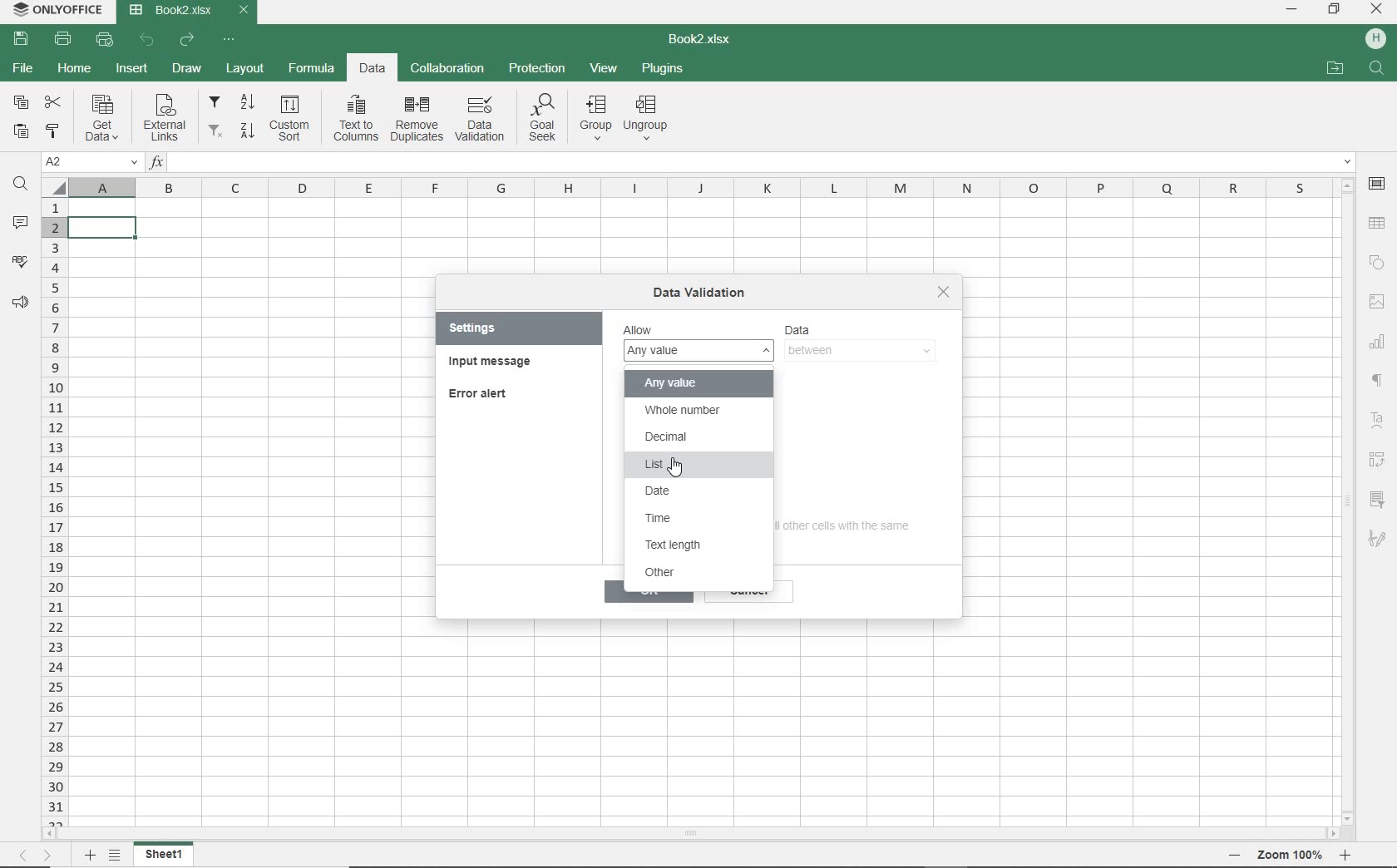 Image resolution: width=1397 pixels, height=868 pixels. Describe the element at coordinates (1291, 8) in the screenshot. I see `MINIMIZE` at that location.